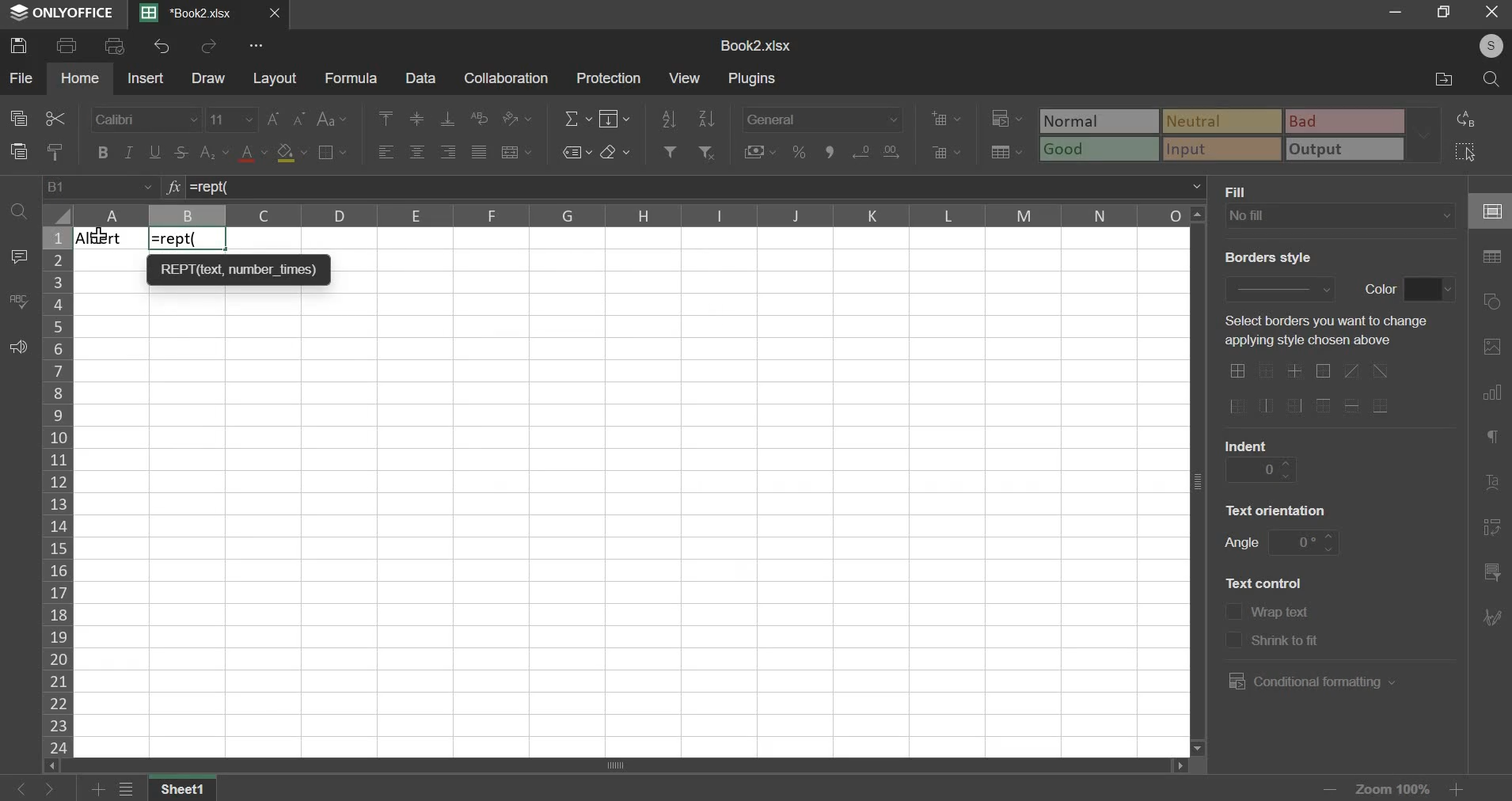 The width and height of the screenshot is (1512, 801). What do you see at coordinates (1271, 586) in the screenshot?
I see `text control` at bounding box center [1271, 586].